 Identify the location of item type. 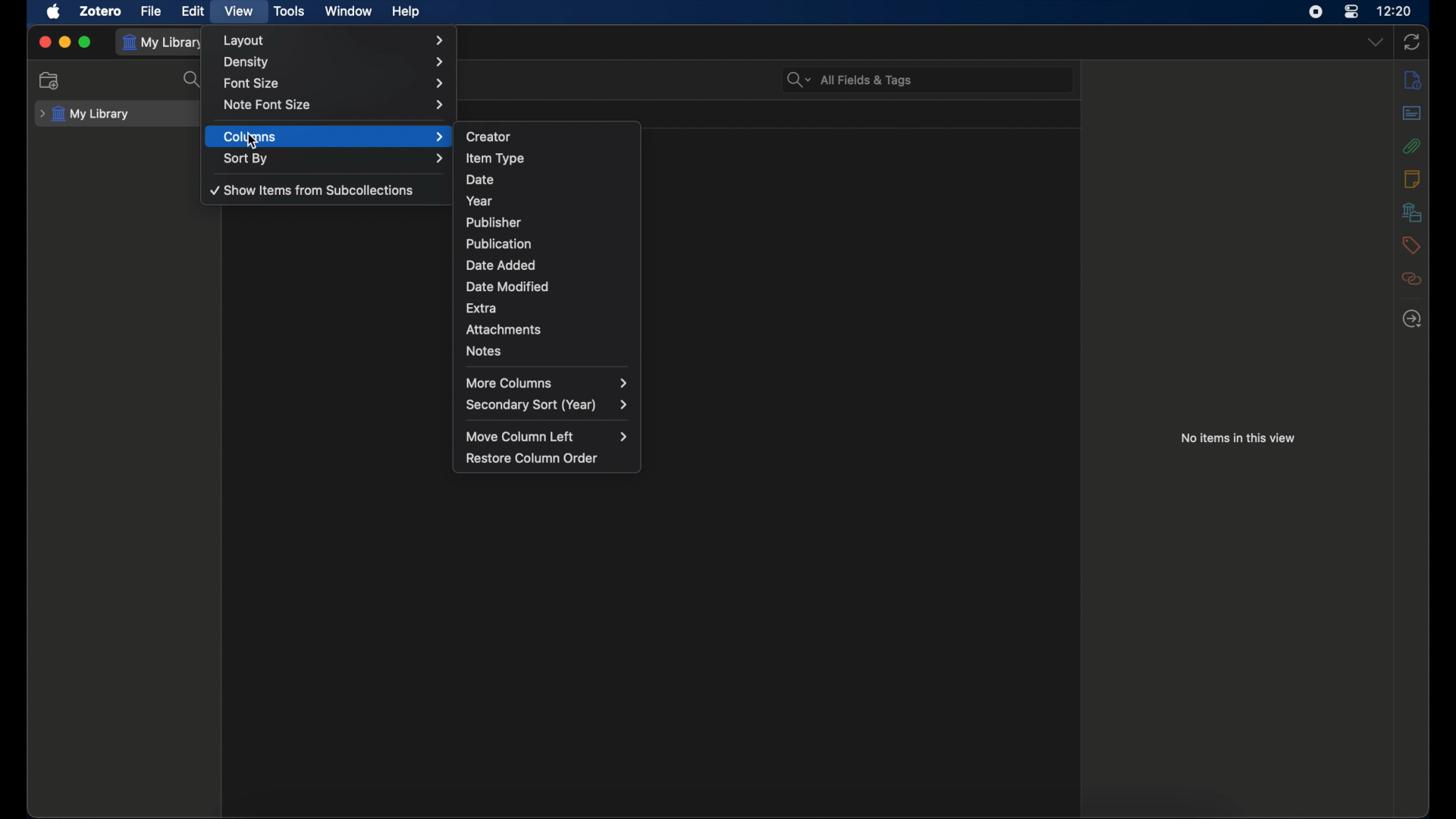
(494, 158).